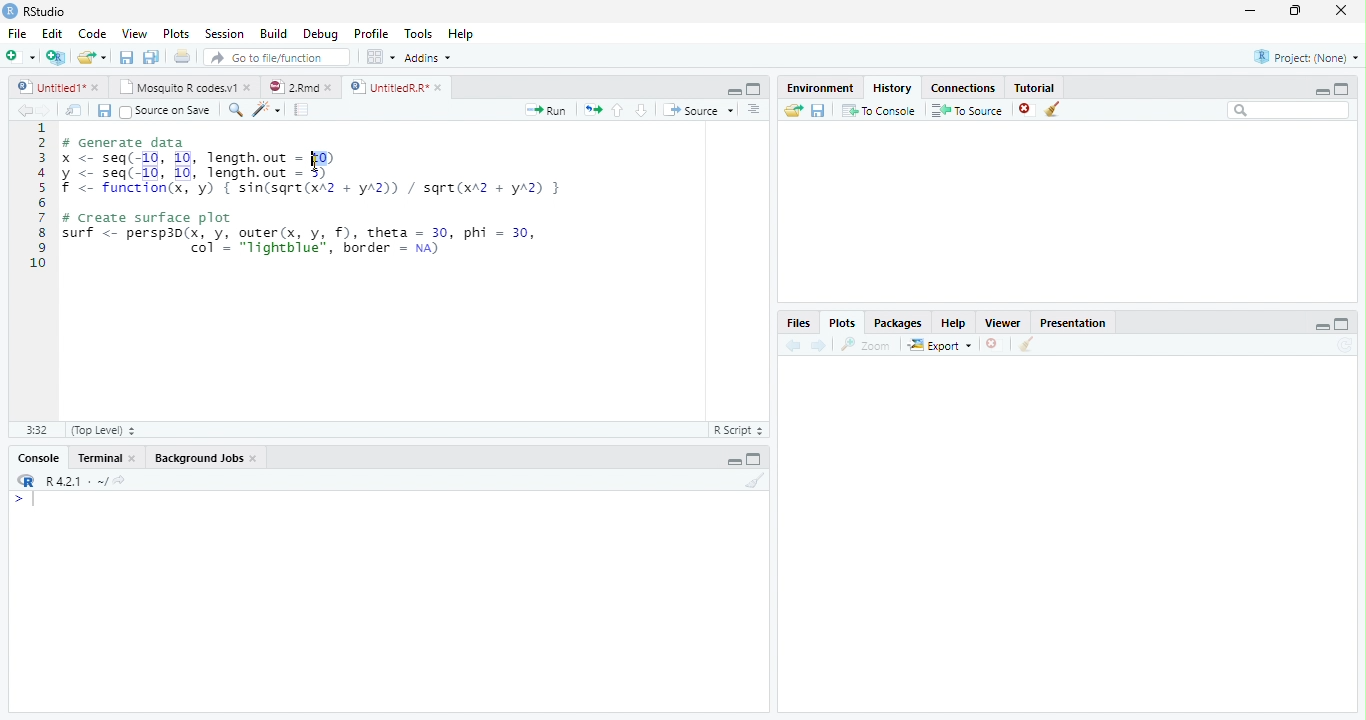 The image size is (1366, 720). Describe the element at coordinates (45, 111) in the screenshot. I see `Go forward to next source location` at that location.